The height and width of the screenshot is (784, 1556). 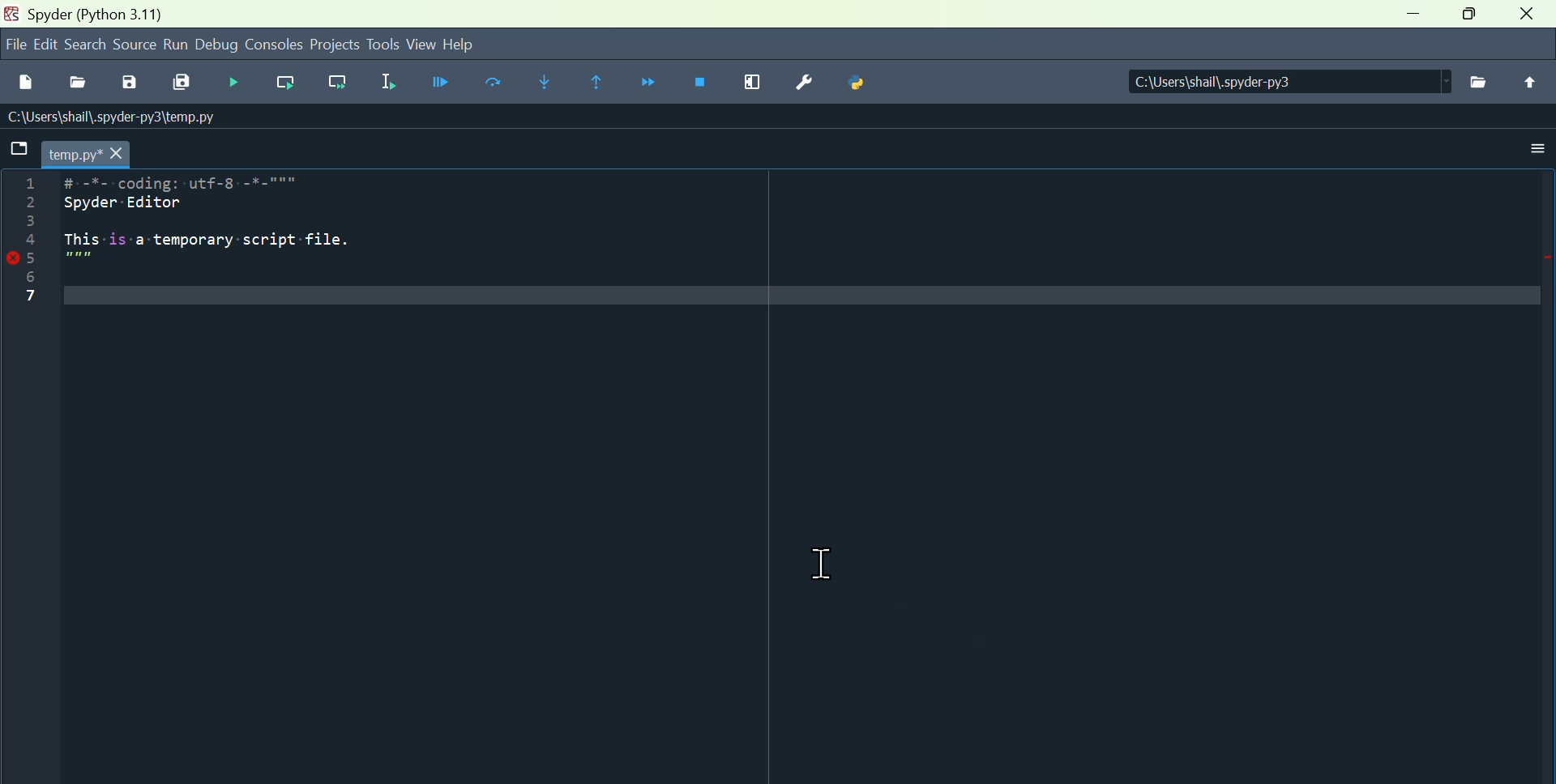 What do you see at coordinates (647, 80) in the screenshot?
I see `Continue execution until next function` at bounding box center [647, 80].